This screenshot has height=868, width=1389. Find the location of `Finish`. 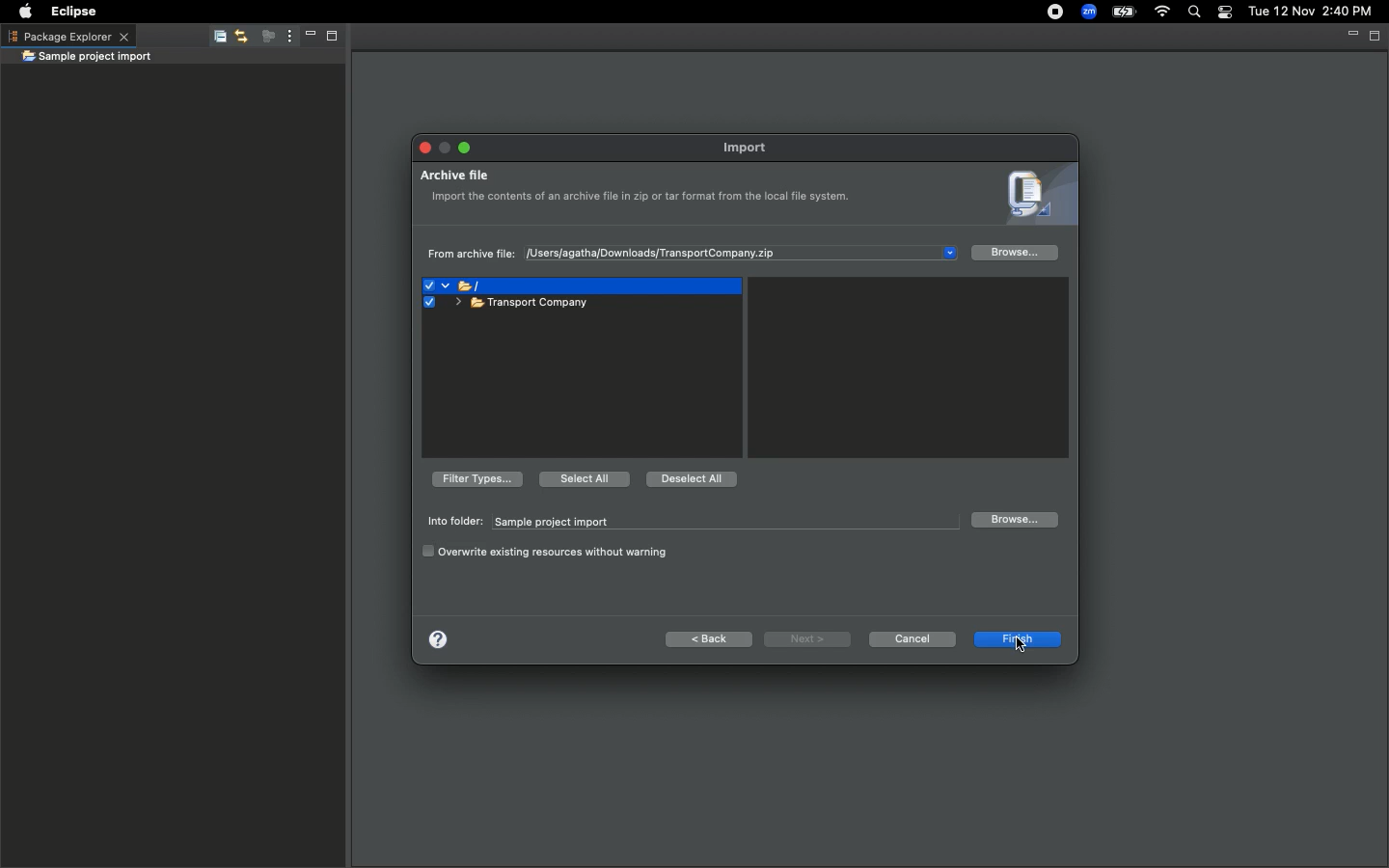

Finish is located at coordinates (988, 637).